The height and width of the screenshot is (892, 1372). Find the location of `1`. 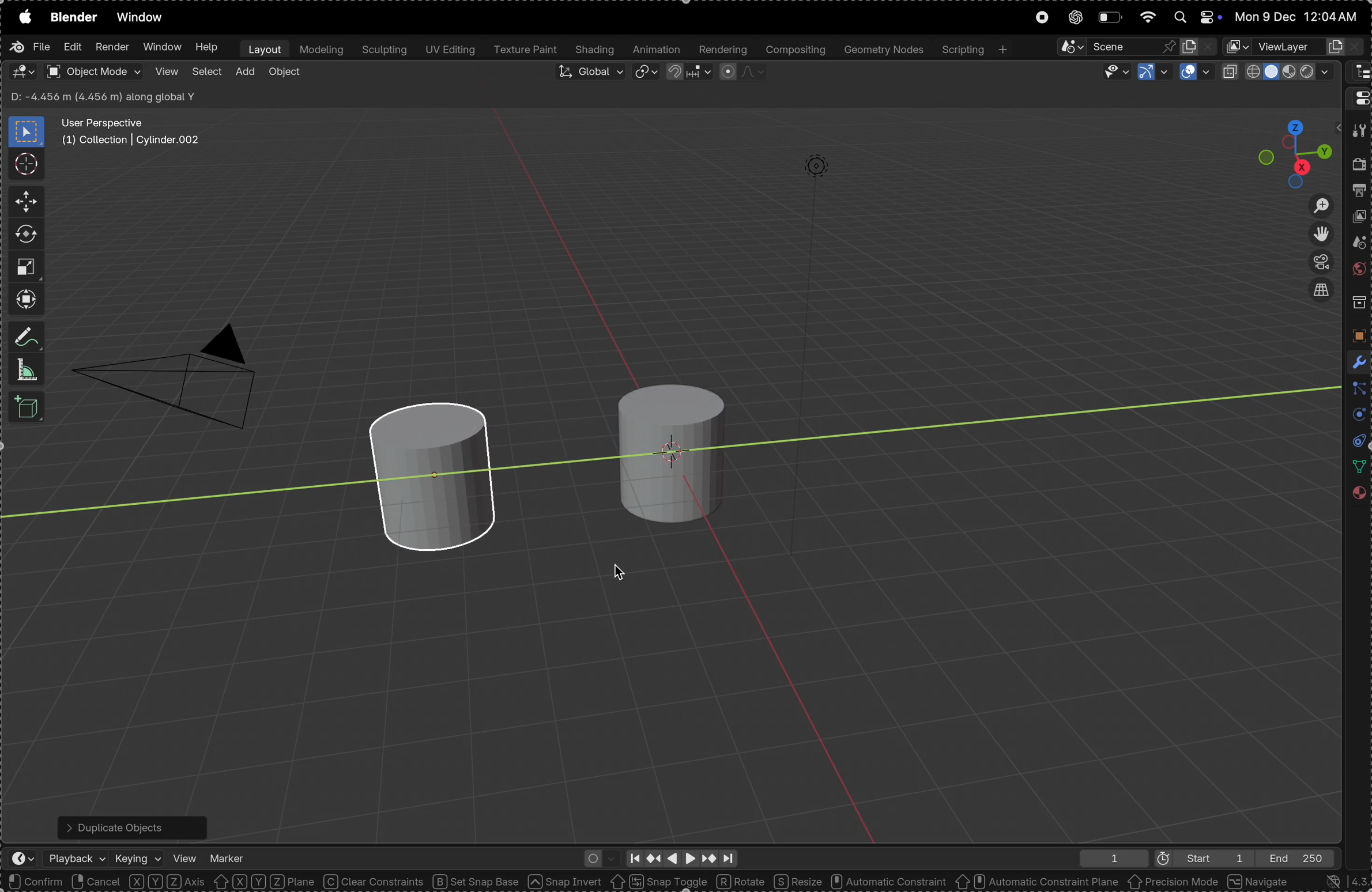

1 is located at coordinates (1109, 858).